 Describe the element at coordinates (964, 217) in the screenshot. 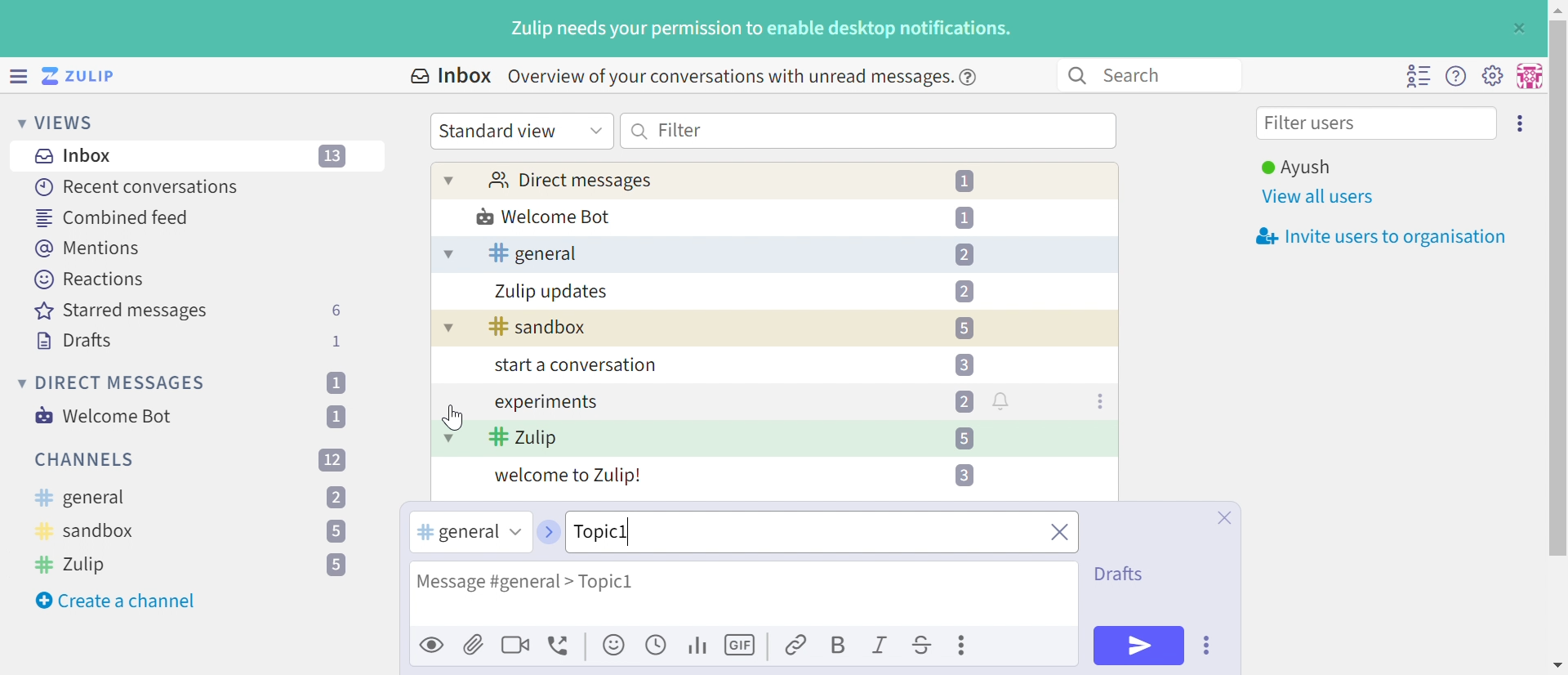

I see `1` at that location.